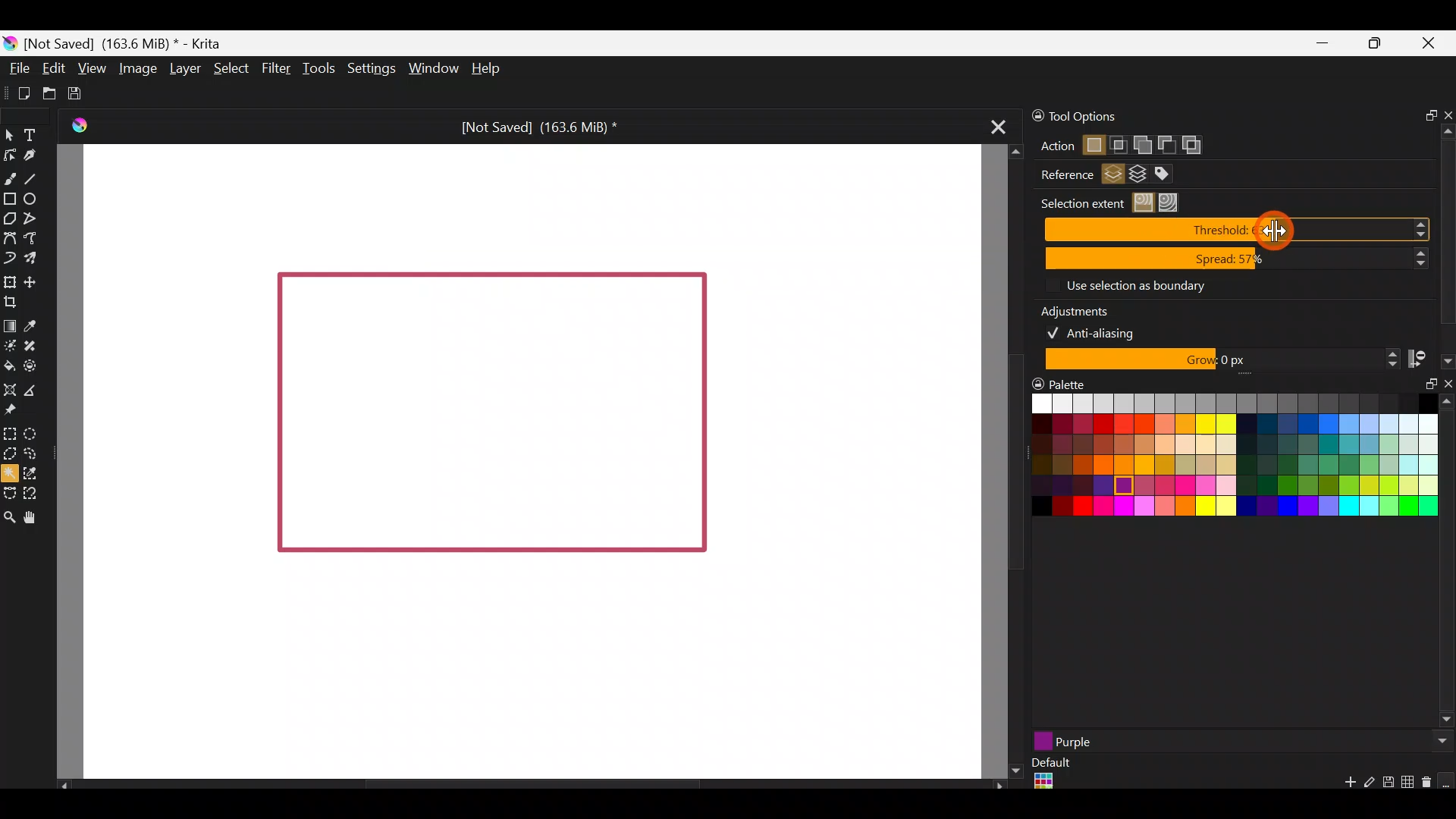 The image size is (1456, 819). I want to click on Smart patch tool, so click(36, 344).